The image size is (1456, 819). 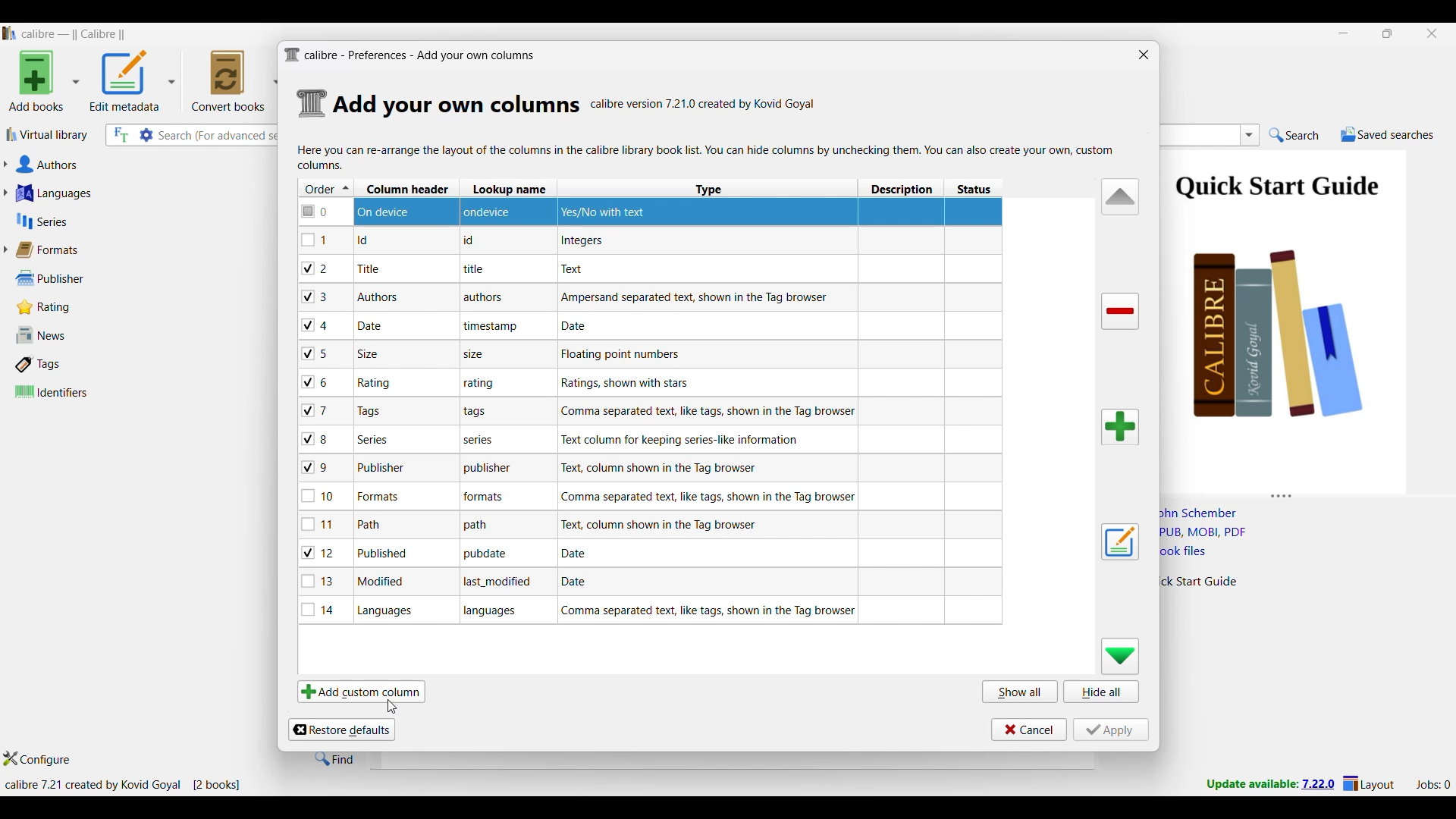 I want to click on Move row down, so click(x=1121, y=656).